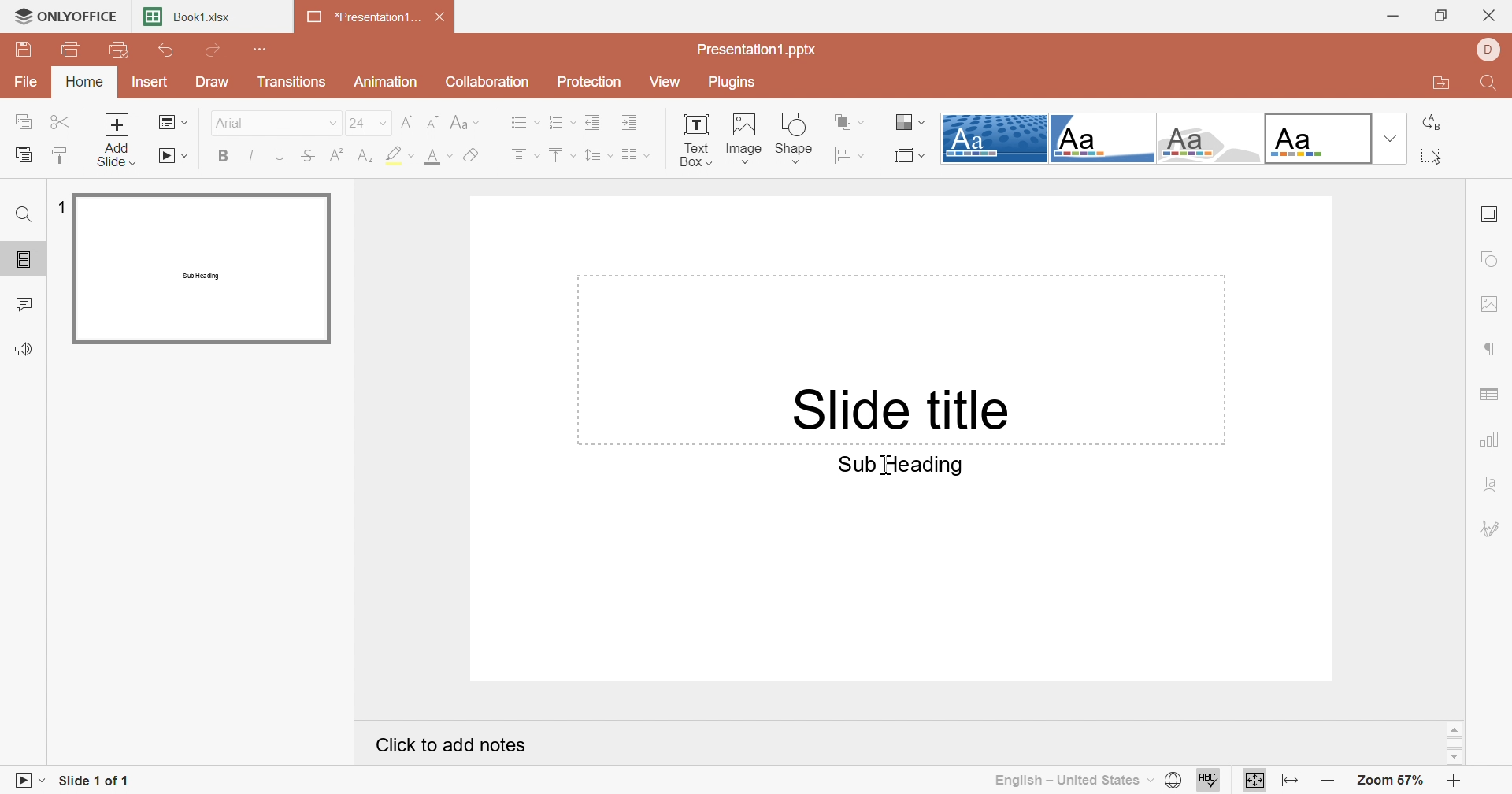 This screenshot has height=794, width=1512. Describe the element at coordinates (740, 83) in the screenshot. I see `Plugins` at that location.